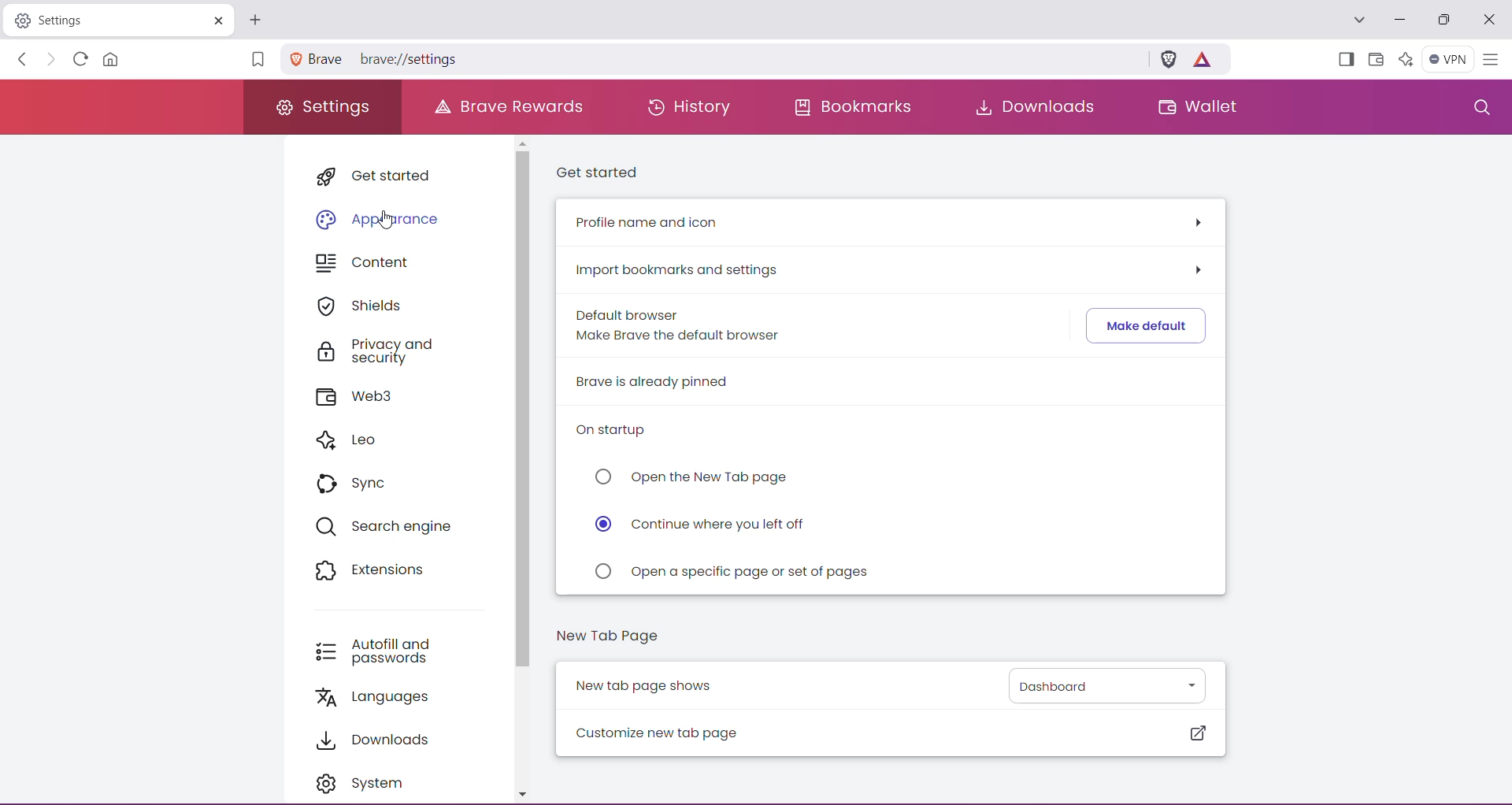 Image resolution: width=1512 pixels, height=805 pixels. I want to click on Leo AI, so click(1404, 58).